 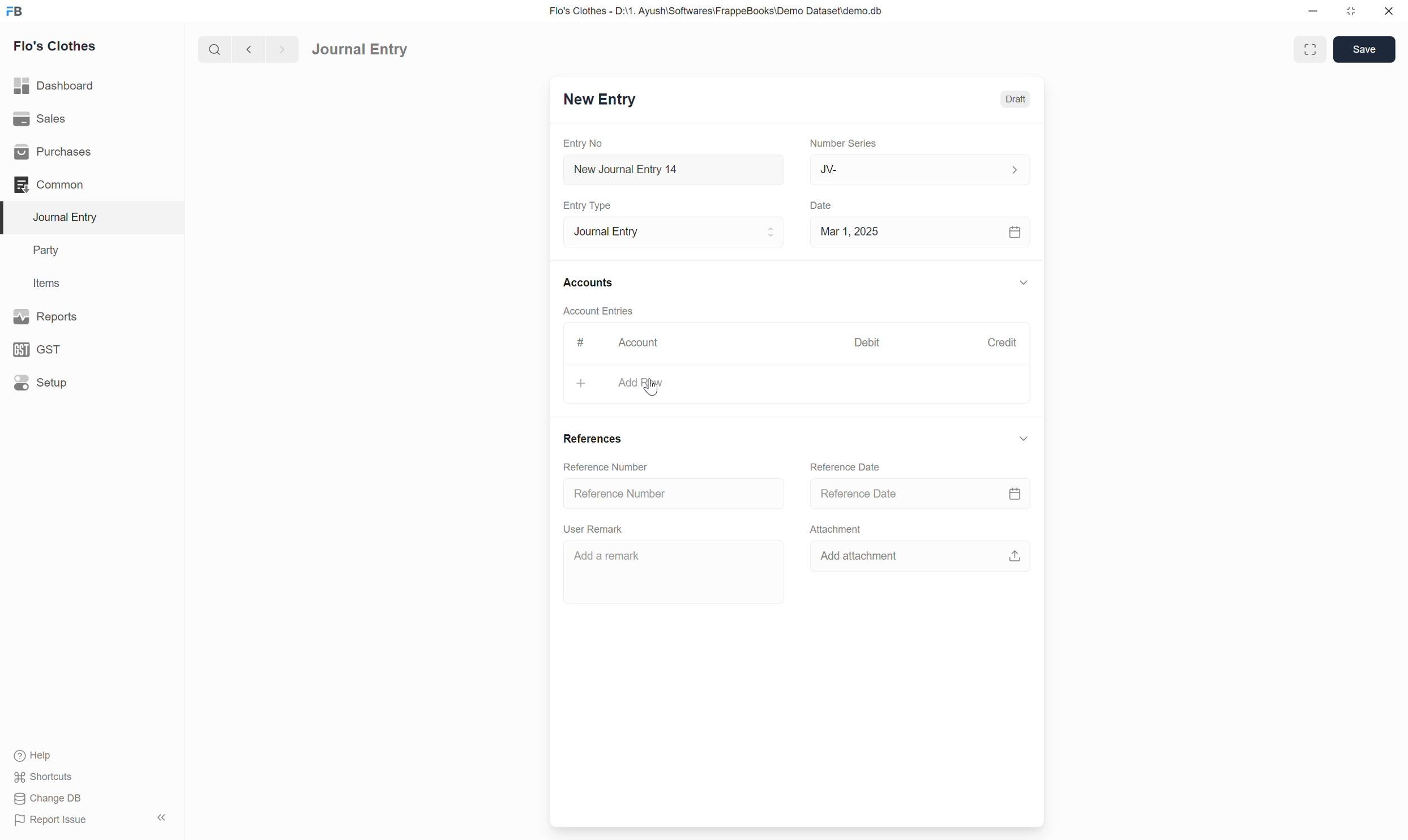 I want to click on Add a remark, so click(x=669, y=569).